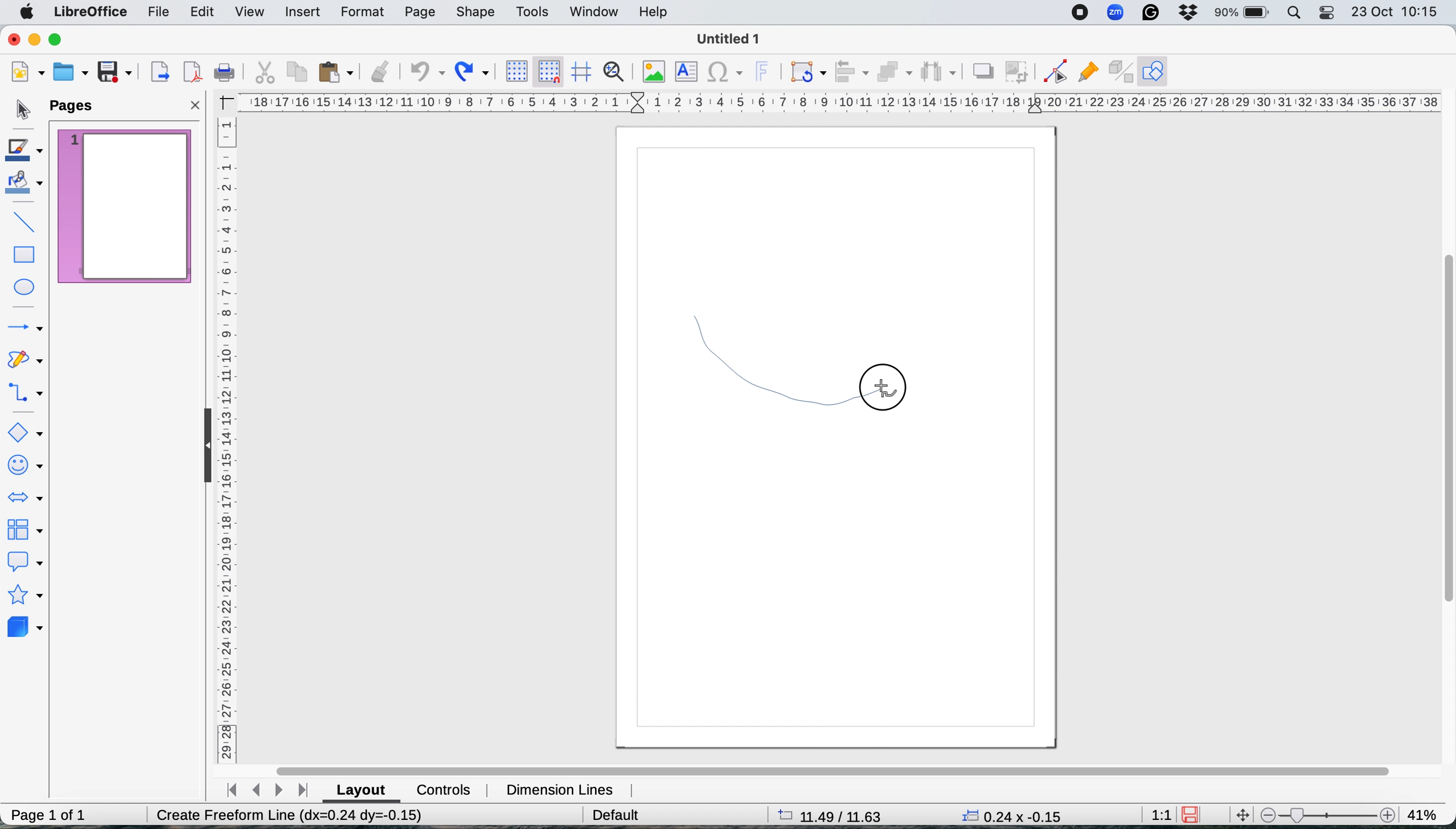  Describe the element at coordinates (27, 532) in the screenshot. I see `flowchart` at that location.